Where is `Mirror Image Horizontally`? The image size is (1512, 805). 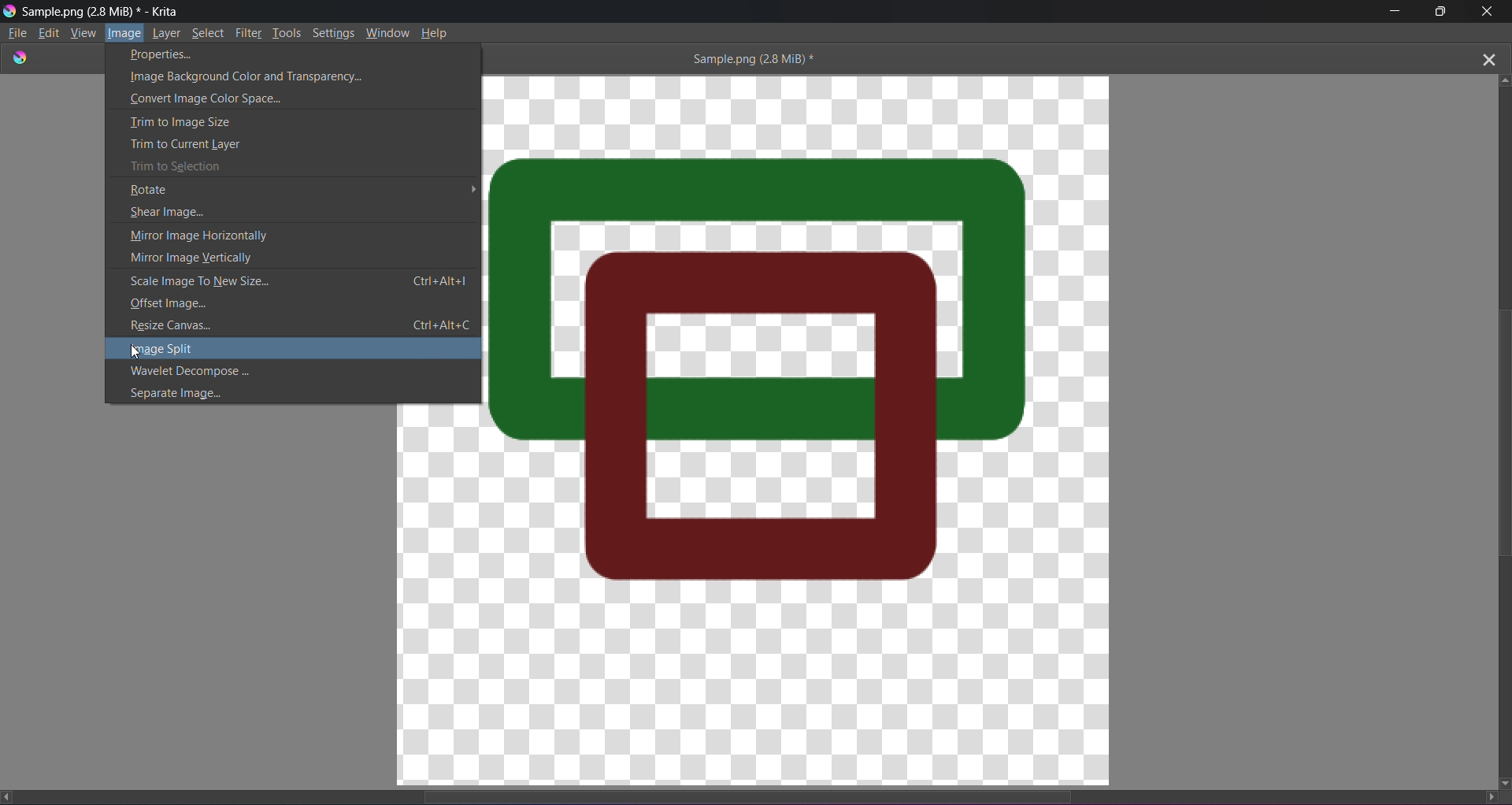
Mirror Image Horizontally is located at coordinates (280, 233).